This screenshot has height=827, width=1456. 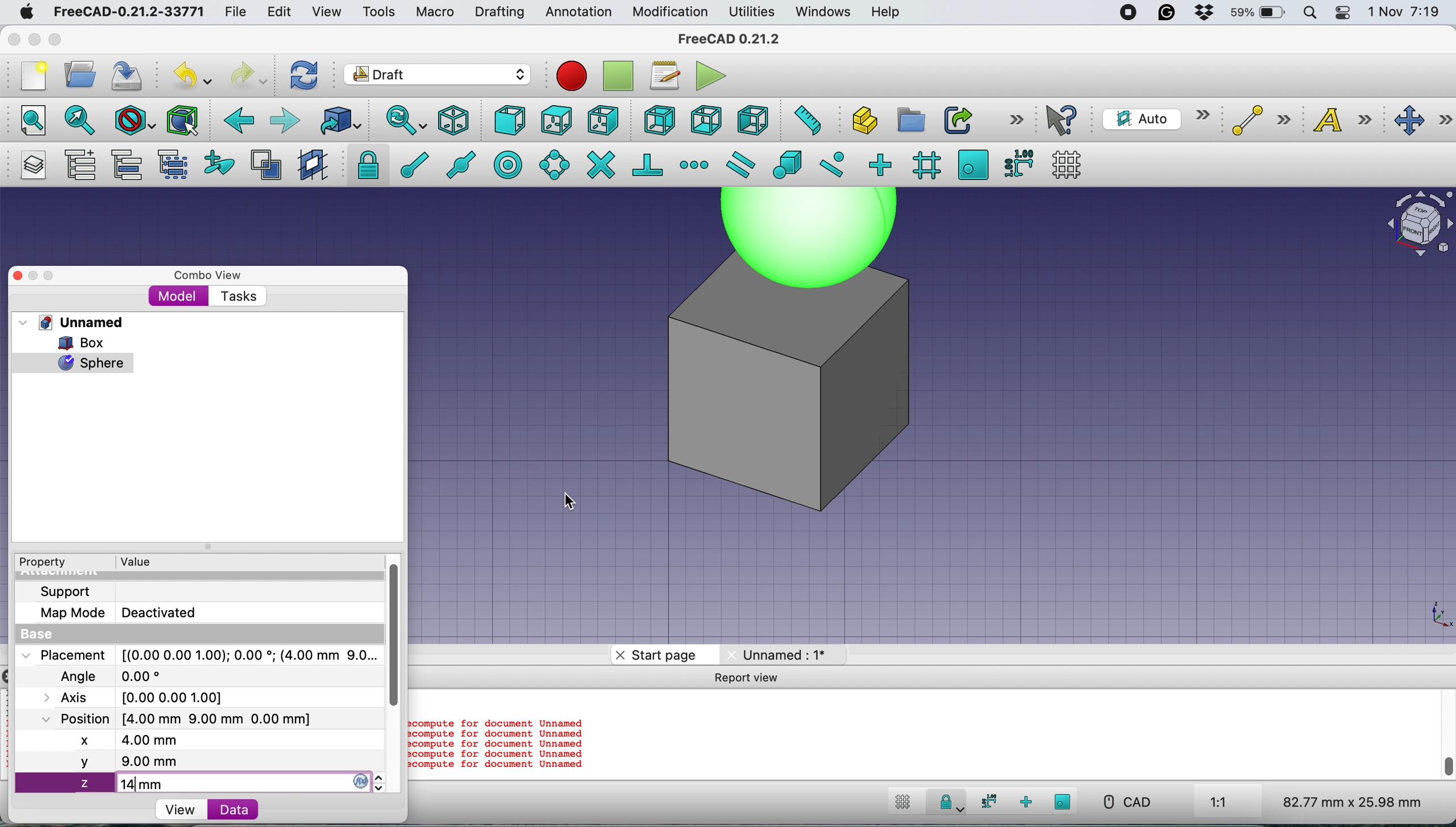 I want to click on cursor, so click(x=572, y=504).